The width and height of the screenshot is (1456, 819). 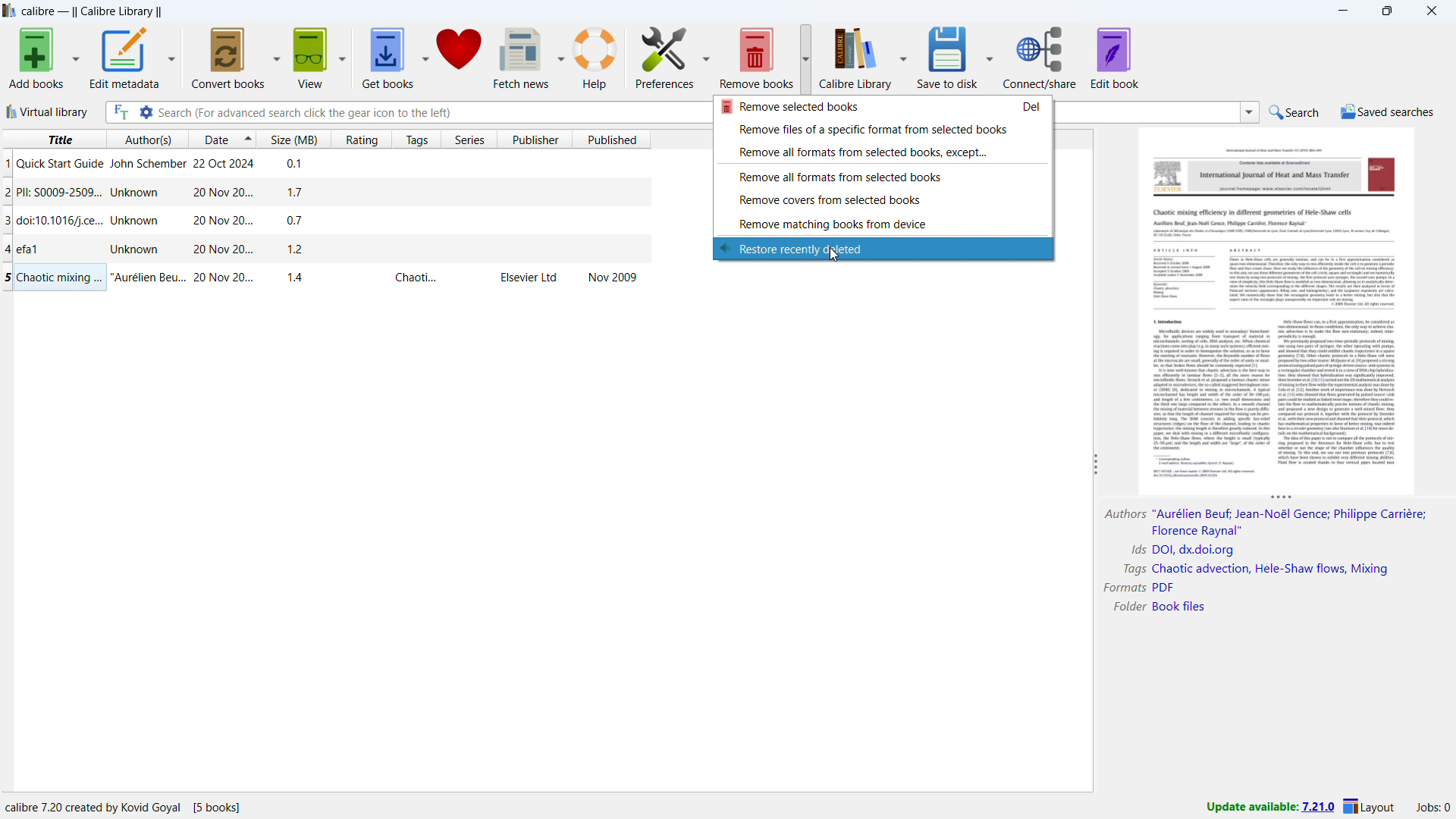 What do you see at coordinates (1371, 807) in the screenshot?
I see `layout` at bounding box center [1371, 807].